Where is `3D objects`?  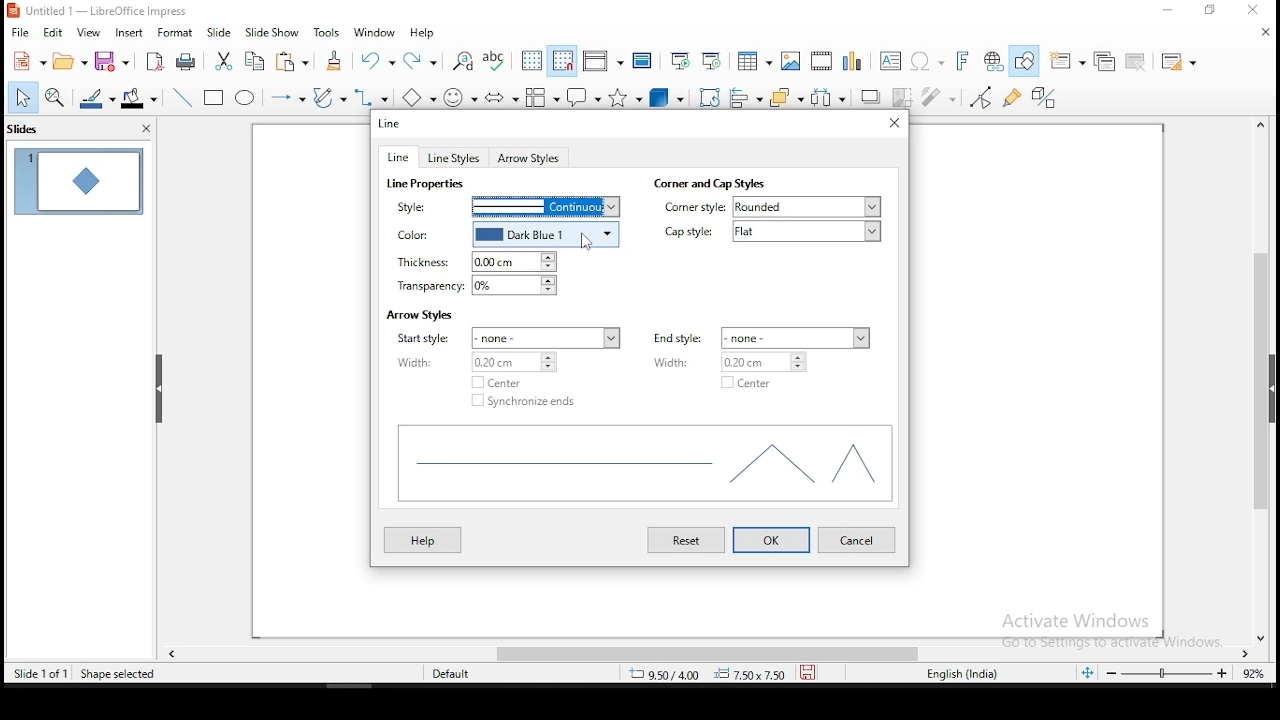
3D objects is located at coordinates (668, 96).